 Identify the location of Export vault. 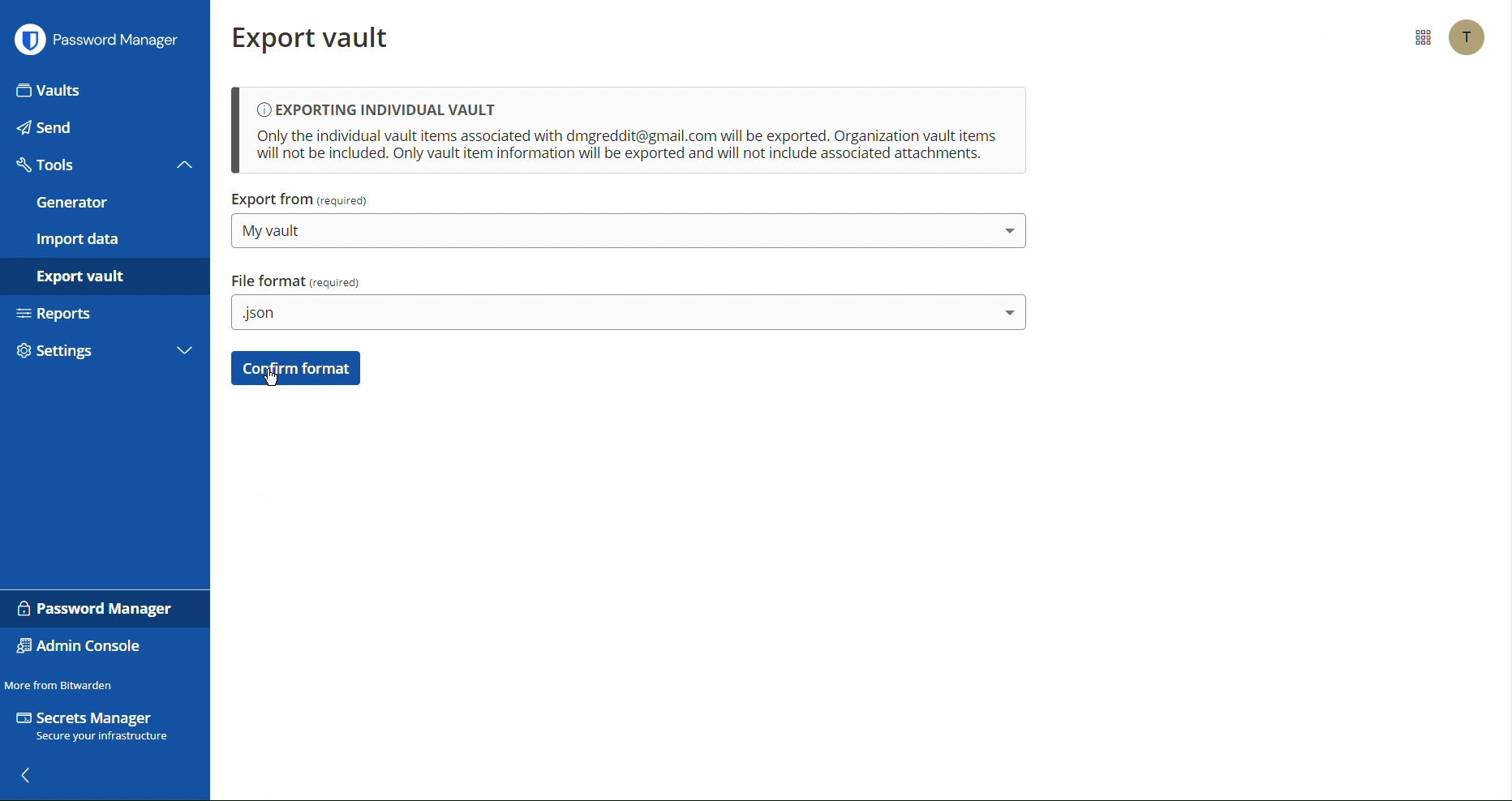
(319, 37).